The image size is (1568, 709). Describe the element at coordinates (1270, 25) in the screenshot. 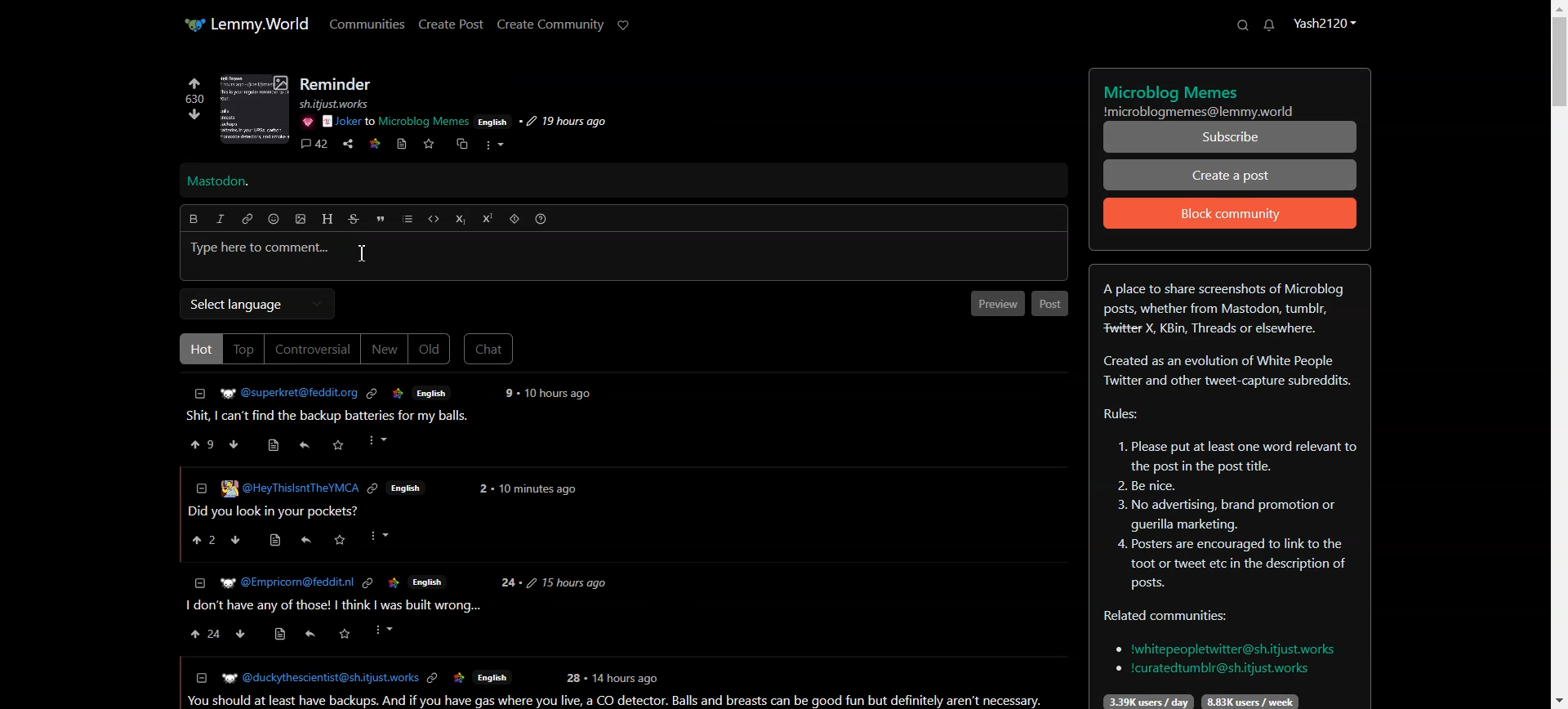

I see `Unread Messages` at that location.